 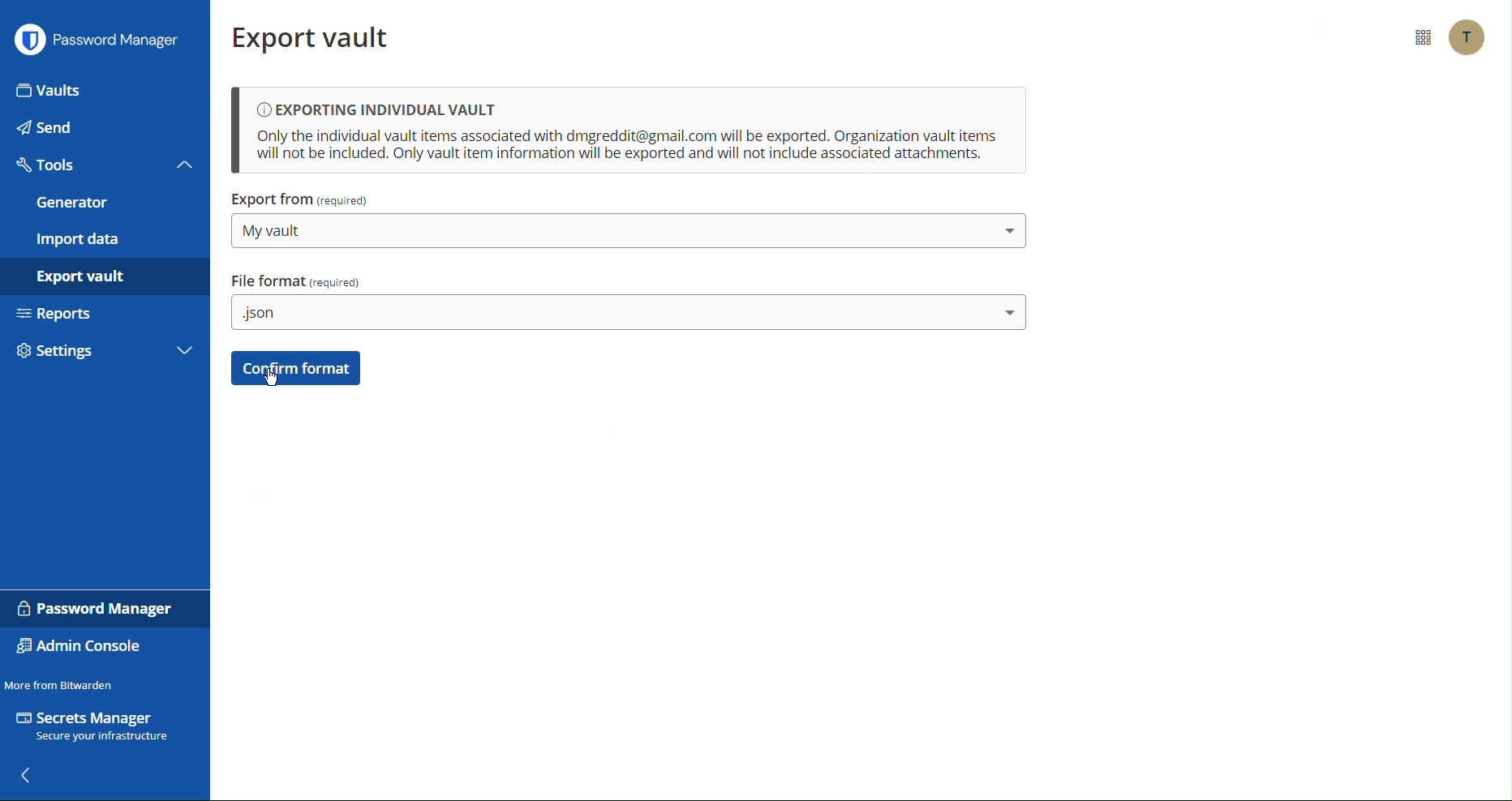 I want to click on More , so click(x=184, y=349).